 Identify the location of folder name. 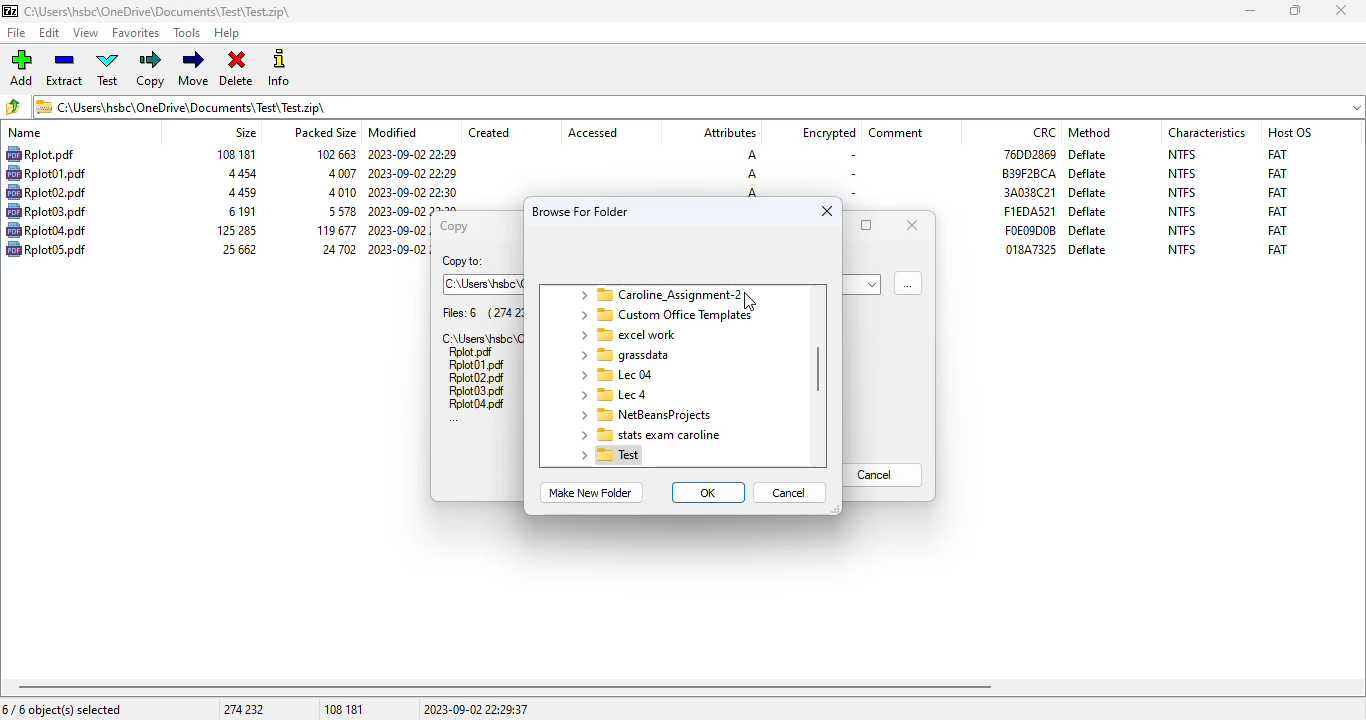
(644, 415).